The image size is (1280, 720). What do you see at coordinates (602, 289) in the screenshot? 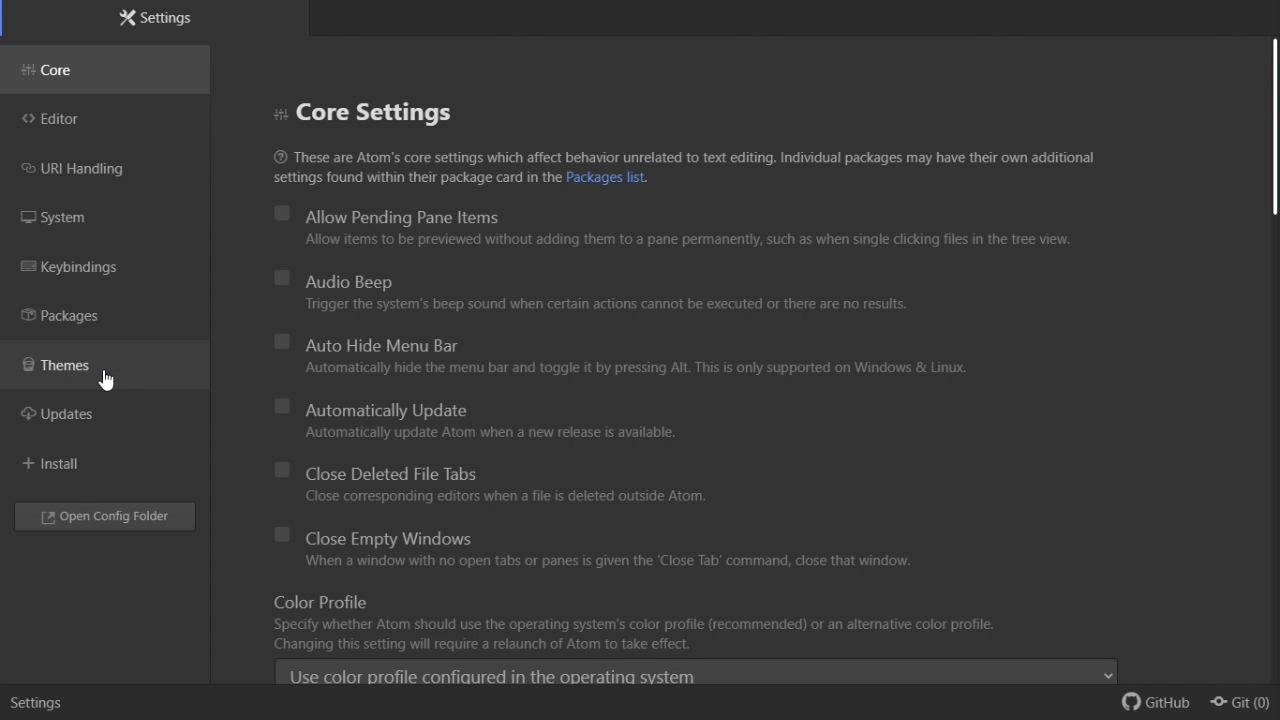
I see `audio beep` at bounding box center [602, 289].